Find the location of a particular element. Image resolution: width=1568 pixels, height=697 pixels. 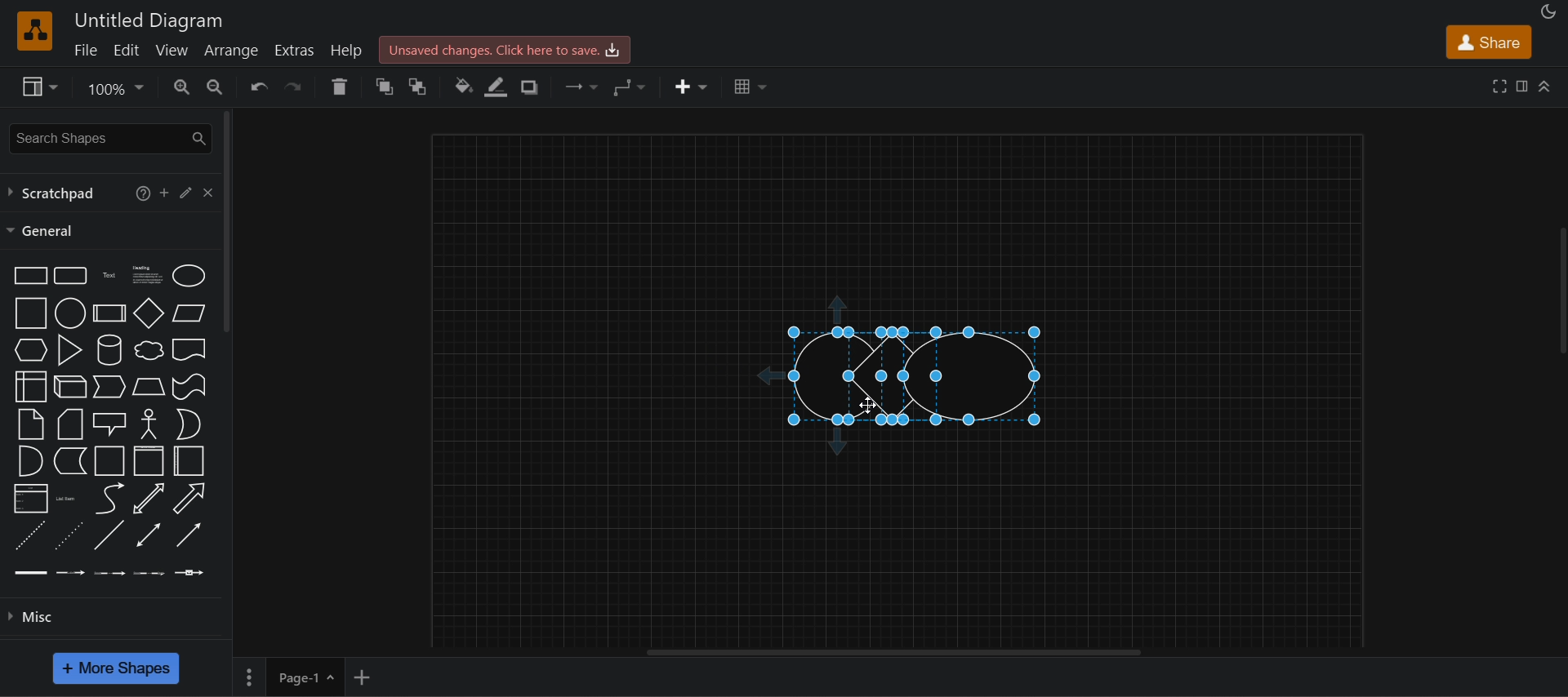

action points to transform shape is located at coordinates (911, 375).